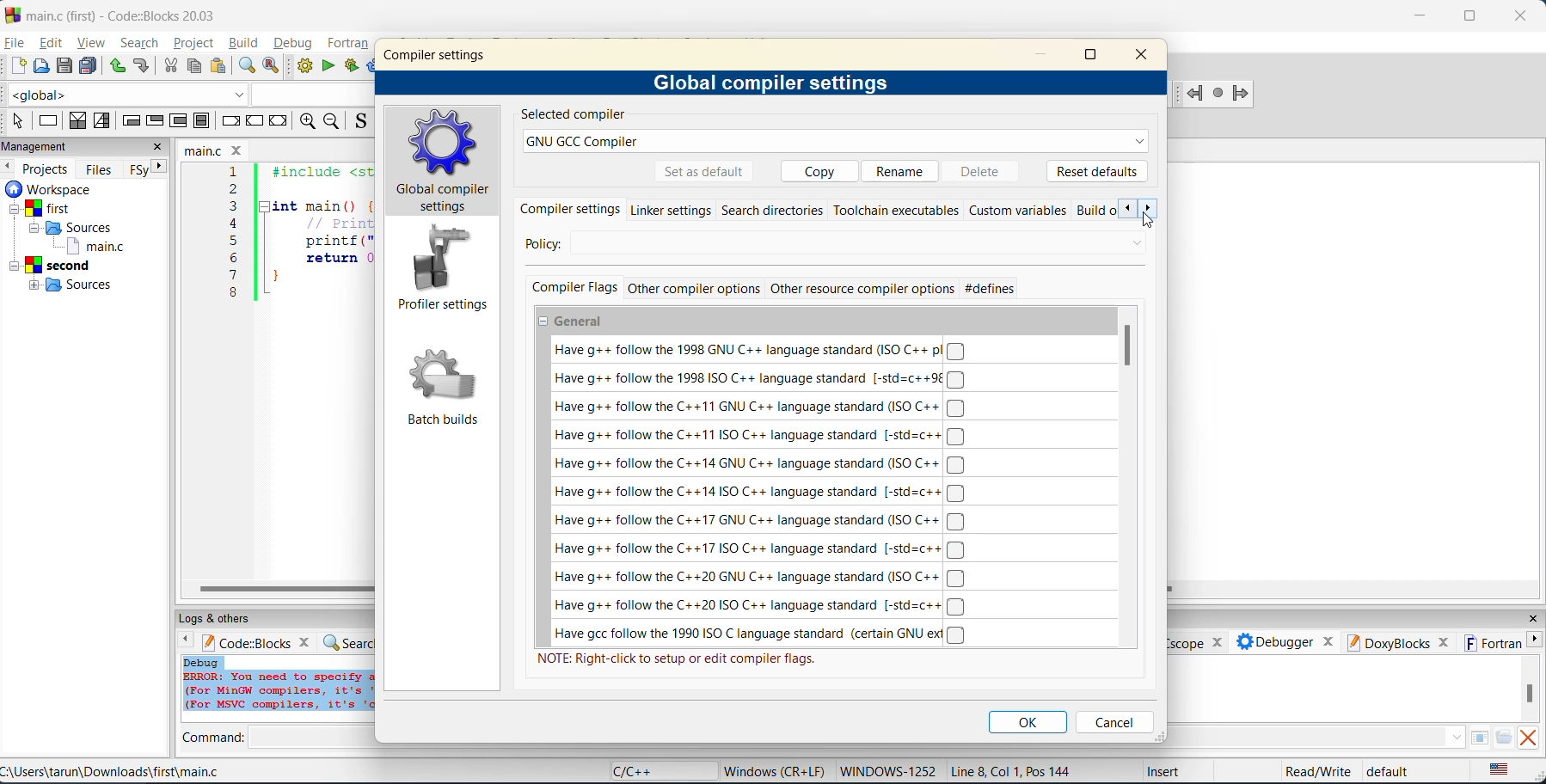 The width and height of the screenshot is (1546, 784). Describe the element at coordinates (759, 520) in the screenshot. I see `Have g++ follow the C++17 GNU C++ language standard (ISO C++` at that location.